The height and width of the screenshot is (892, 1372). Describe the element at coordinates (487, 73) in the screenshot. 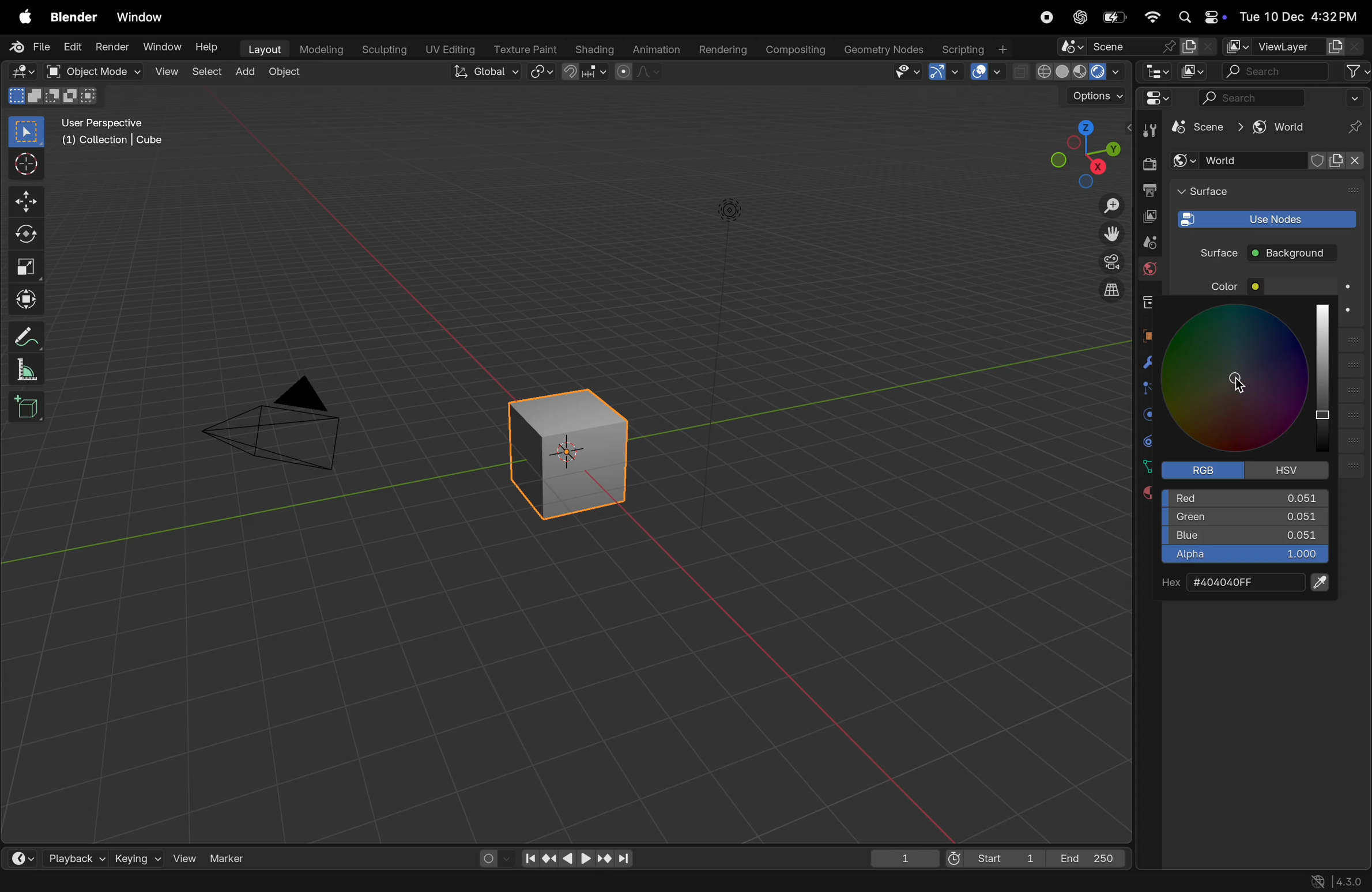

I see `Global` at that location.